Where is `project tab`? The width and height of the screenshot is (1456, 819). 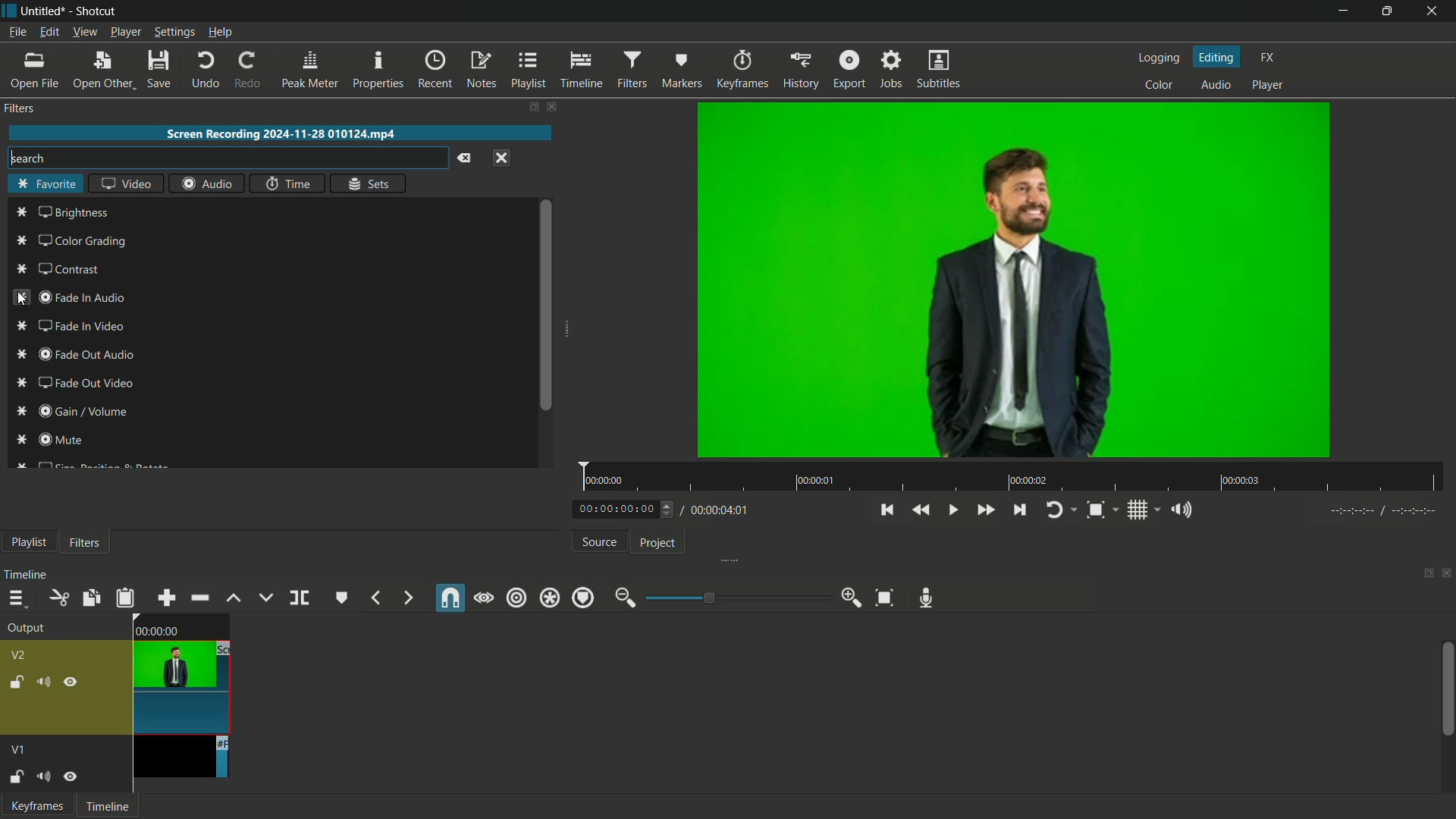
project tab is located at coordinates (658, 544).